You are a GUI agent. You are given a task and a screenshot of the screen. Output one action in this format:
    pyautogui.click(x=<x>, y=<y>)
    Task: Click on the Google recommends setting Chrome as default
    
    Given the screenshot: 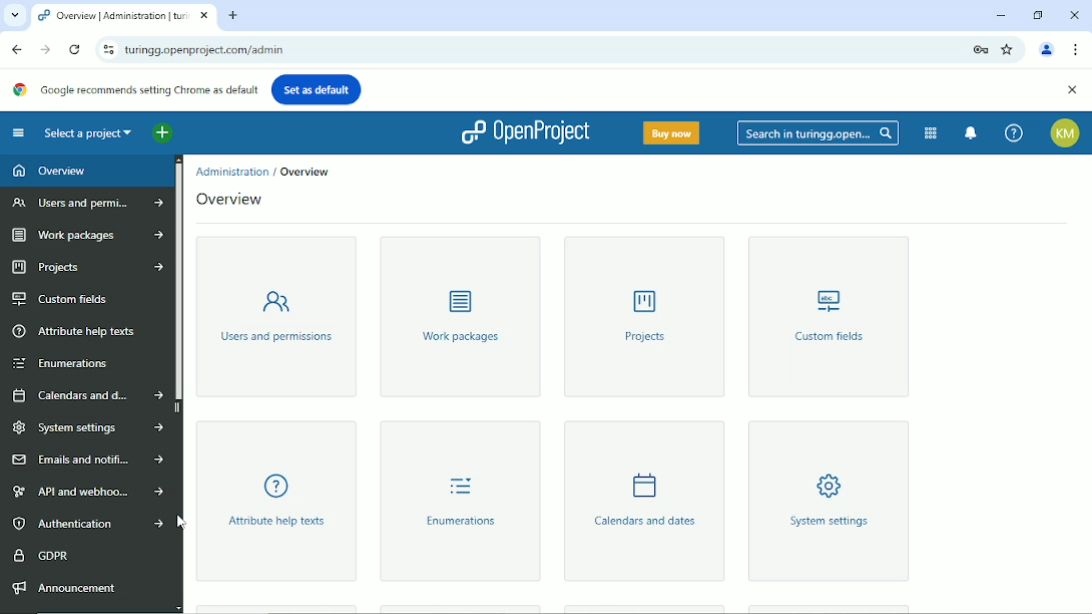 What is the action you would take?
    pyautogui.click(x=135, y=89)
    